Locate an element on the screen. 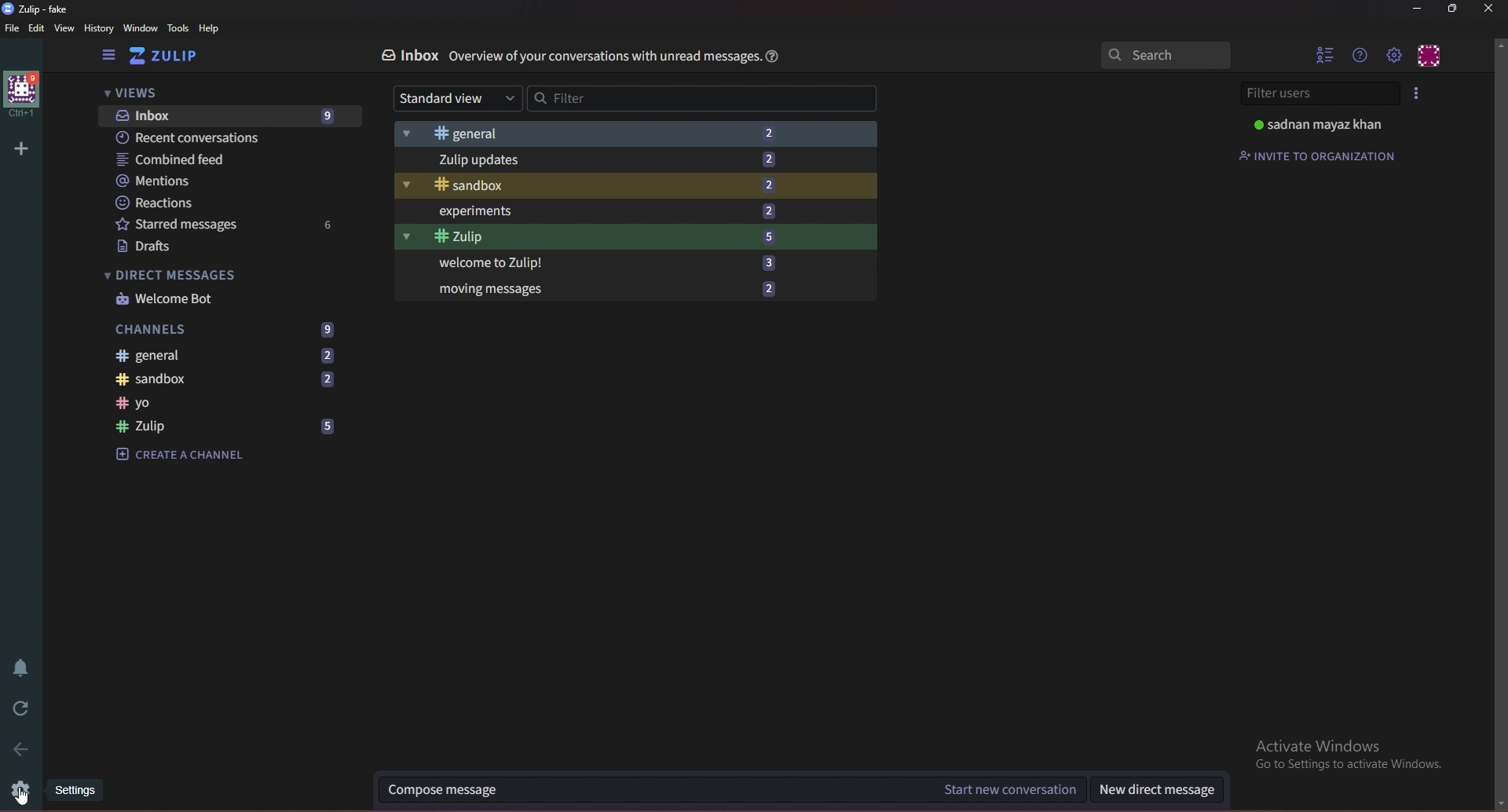 The image size is (1508, 812). New direct message is located at coordinates (1157, 791).